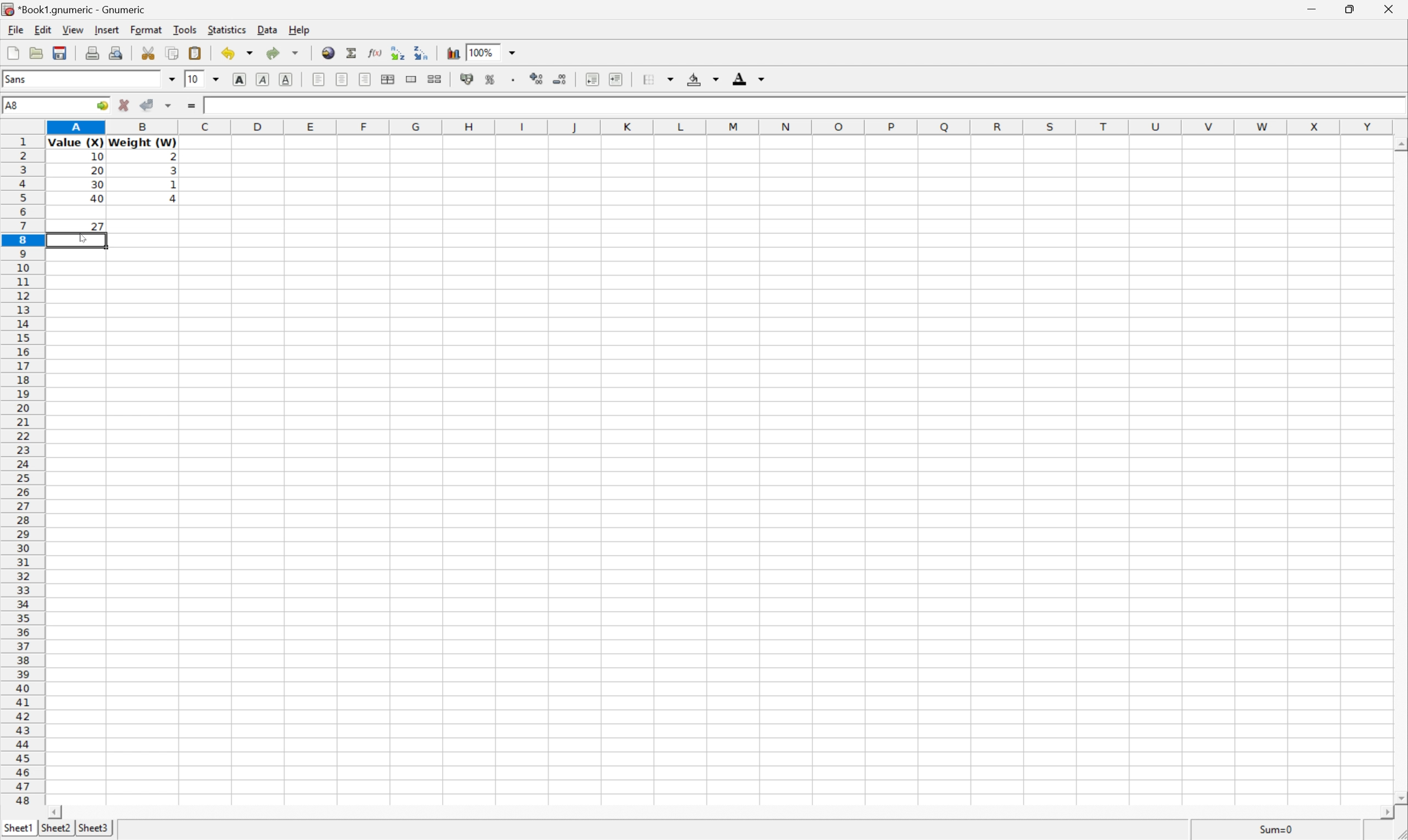  I want to click on Sheet1, so click(18, 828).